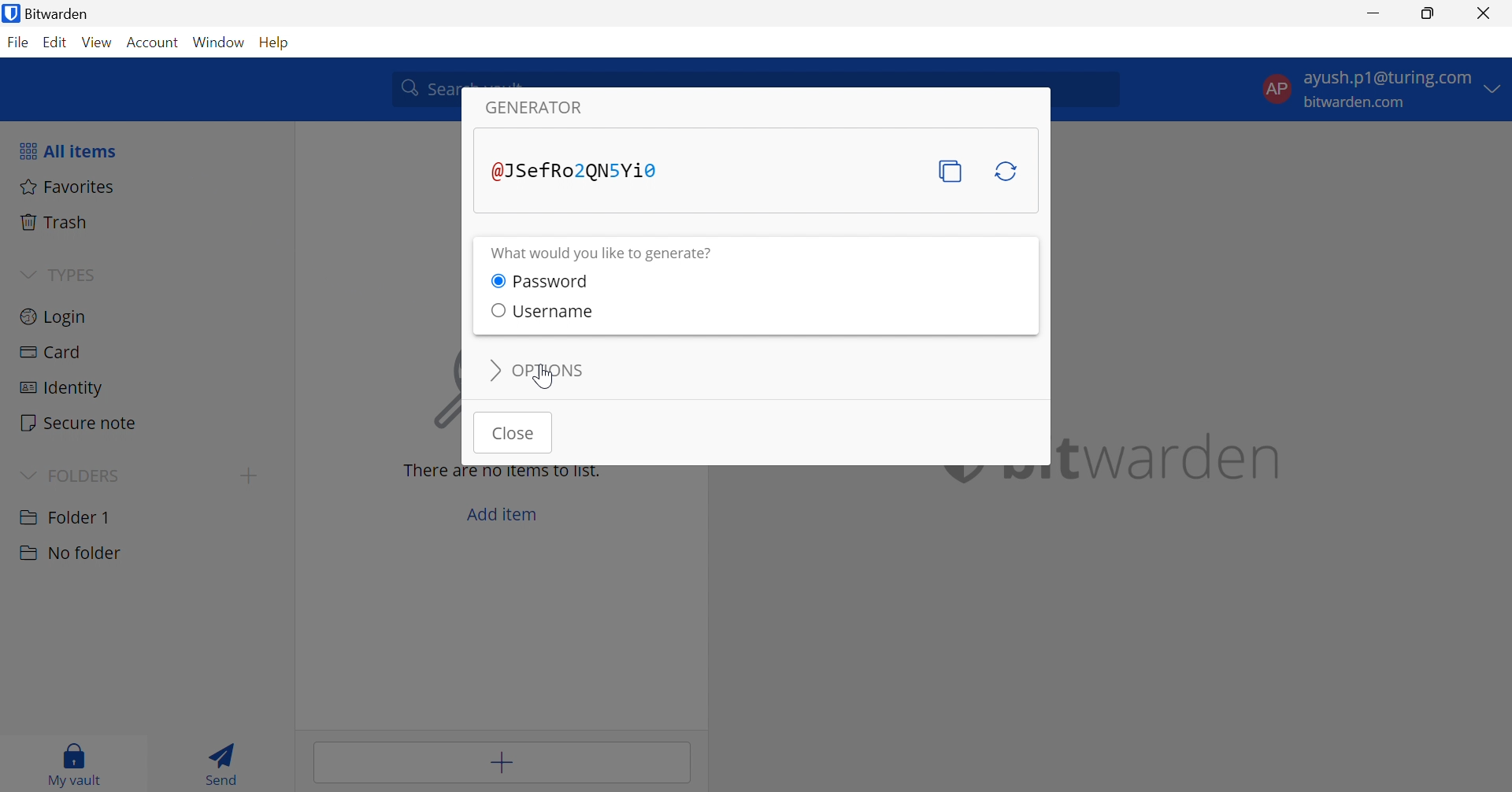 Image resolution: width=1512 pixels, height=792 pixels. What do you see at coordinates (50, 353) in the screenshot?
I see `Card` at bounding box center [50, 353].